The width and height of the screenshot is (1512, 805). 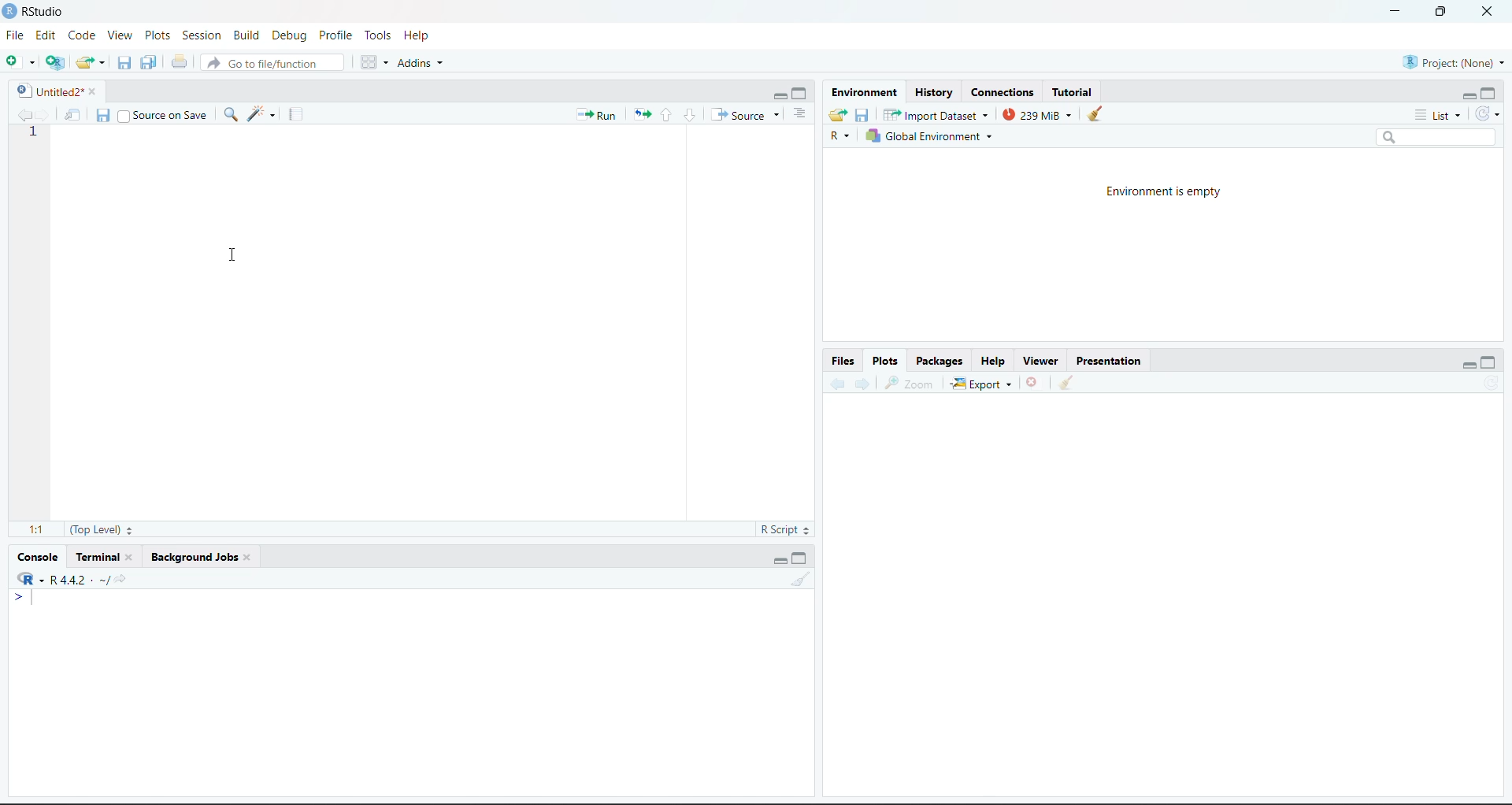 What do you see at coordinates (669, 114) in the screenshot?
I see `Go to previous section/chunk (Ctrl + PgUp)` at bounding box center [669, 114].